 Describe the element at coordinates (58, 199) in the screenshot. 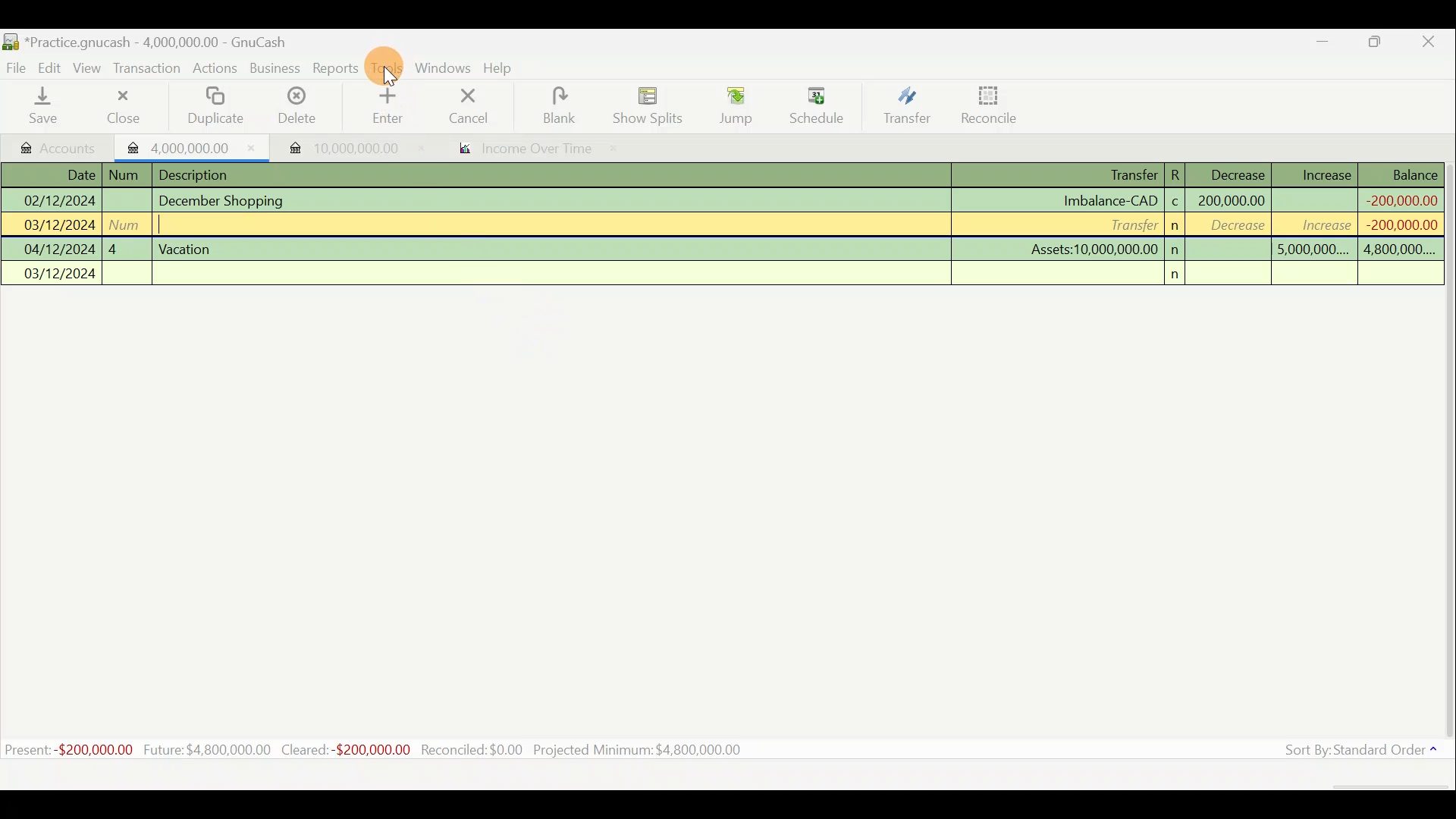

I see `02/12/2024` at that location.